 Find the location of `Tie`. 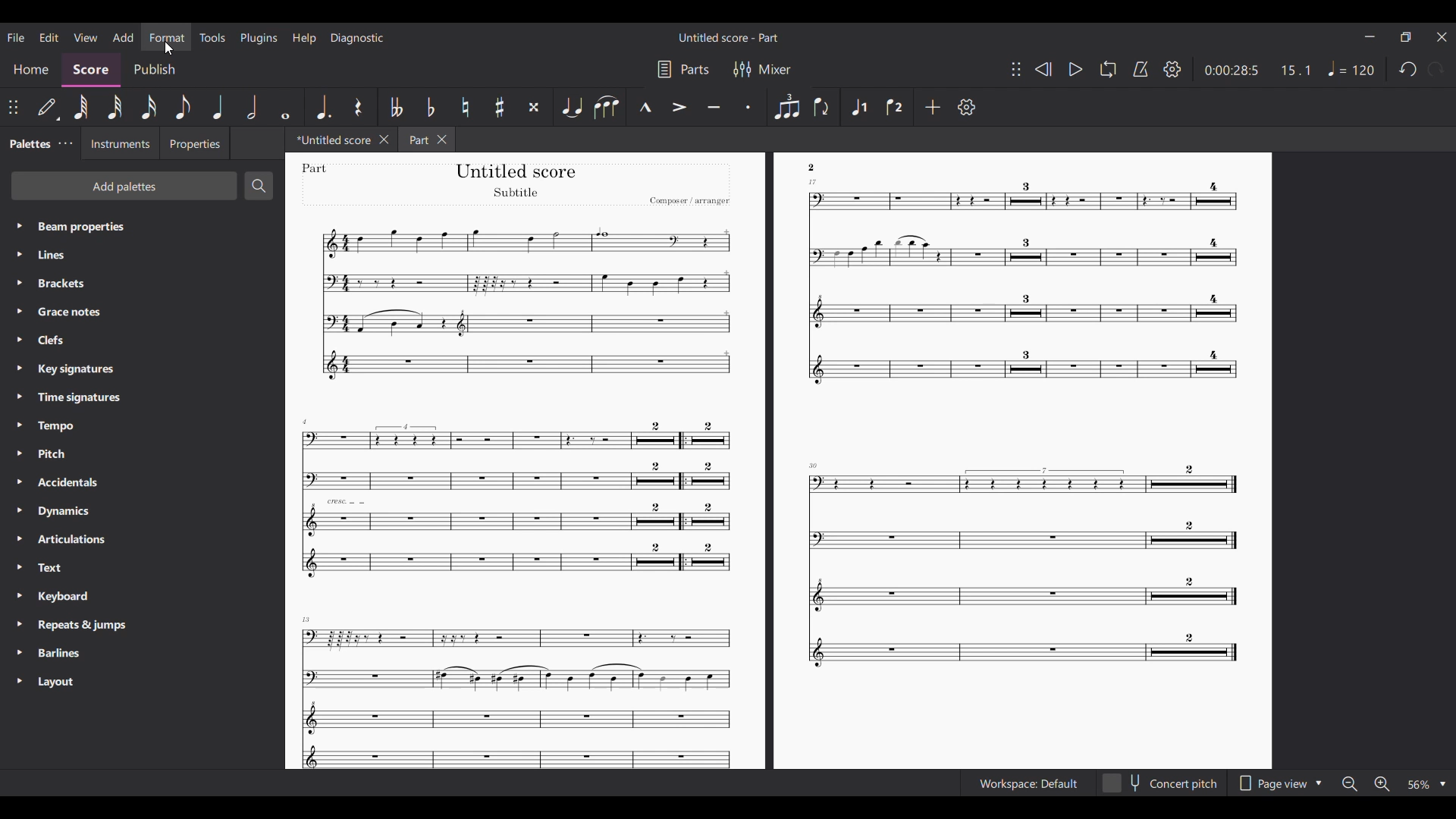

Tie is located at coordinates (573, 108).